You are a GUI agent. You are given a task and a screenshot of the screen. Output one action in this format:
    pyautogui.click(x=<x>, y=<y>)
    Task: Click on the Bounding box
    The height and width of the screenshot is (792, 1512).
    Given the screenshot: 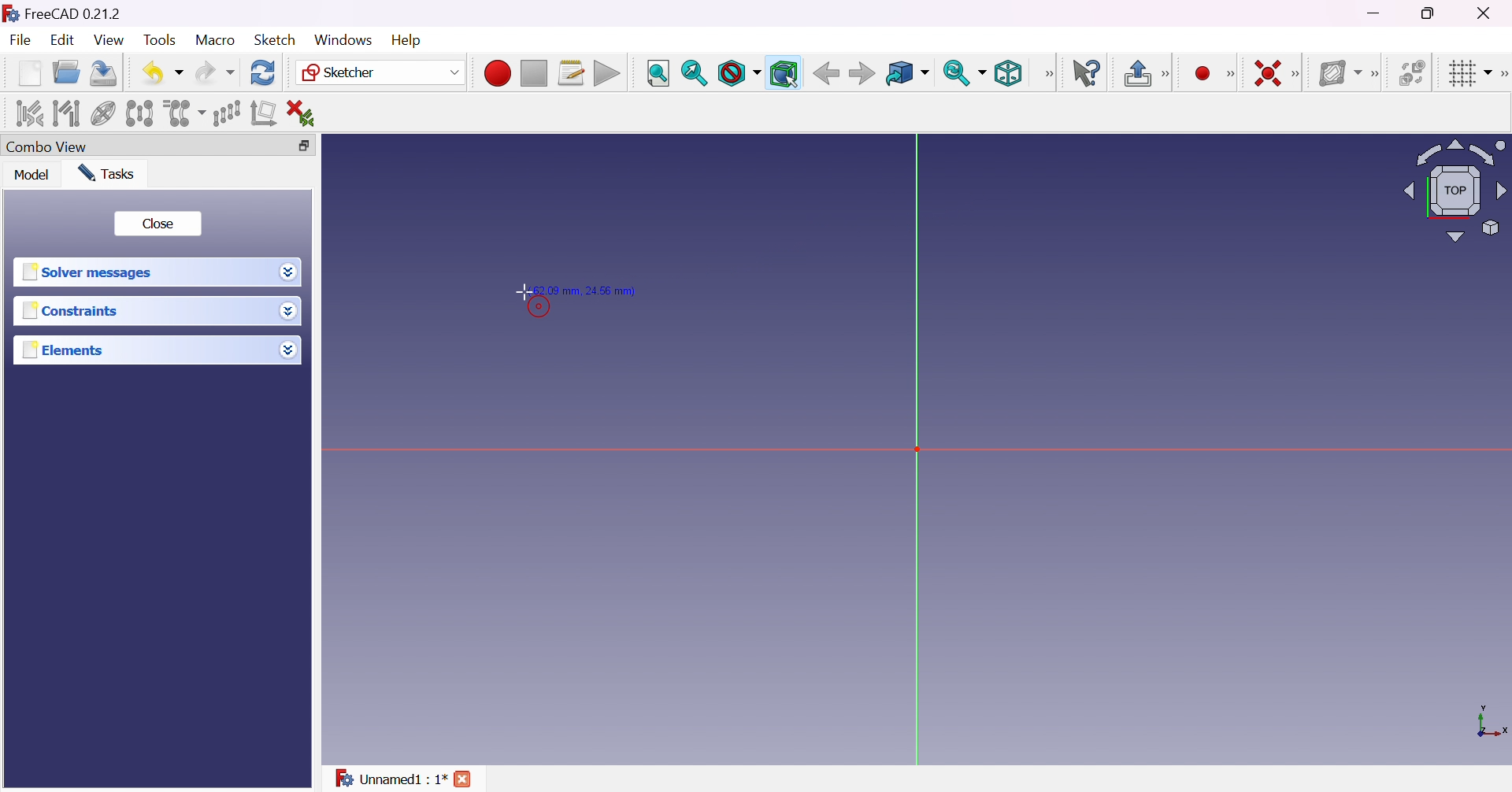 What is the action you would take?
    pyautogui.click(x=785, y=74)
    